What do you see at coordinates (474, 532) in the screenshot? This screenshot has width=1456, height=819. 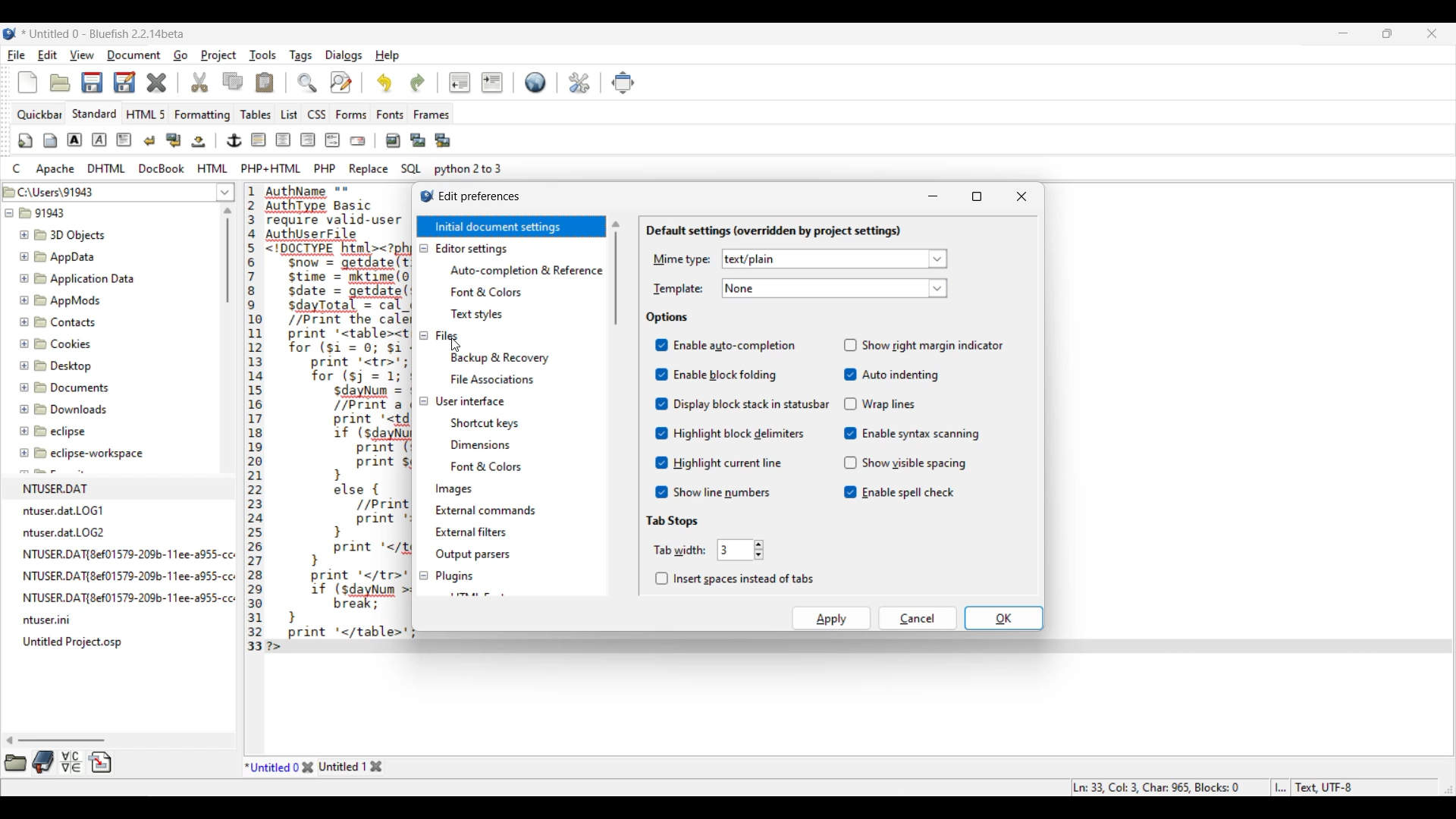 I see `External filters` at bounding box center [474, 532].